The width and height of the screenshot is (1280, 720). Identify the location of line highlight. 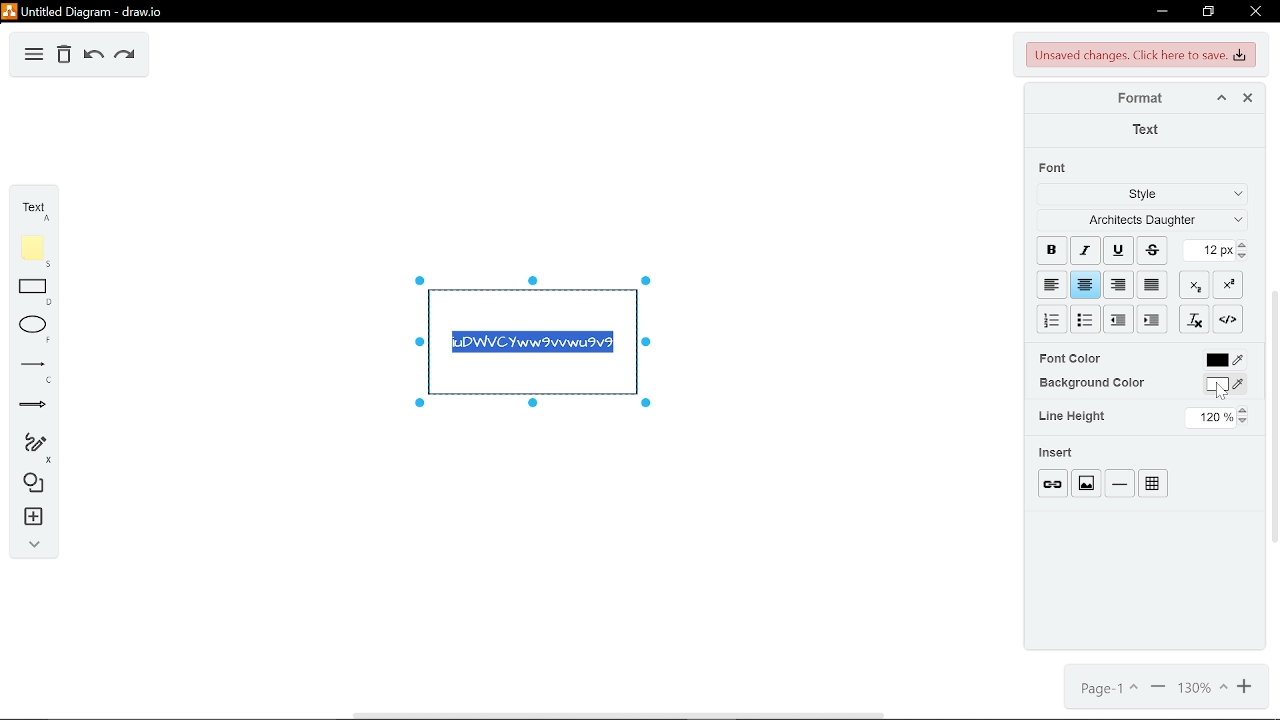
(1074, 416).